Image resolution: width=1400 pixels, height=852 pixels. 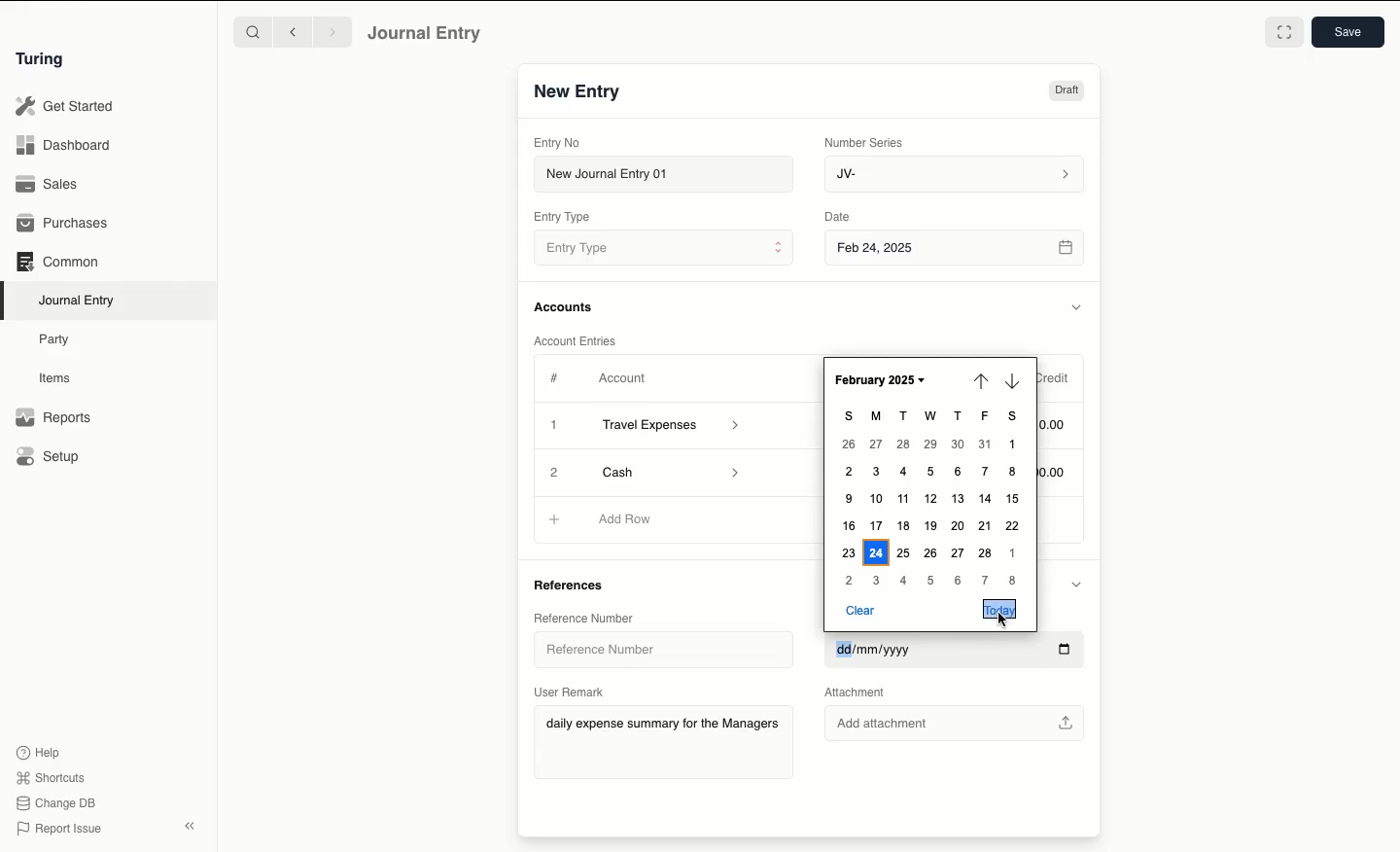 What do you see at coordinates (585, 618) in the screenshot?
I see `Reference Number` at bounding box center [585, 618].